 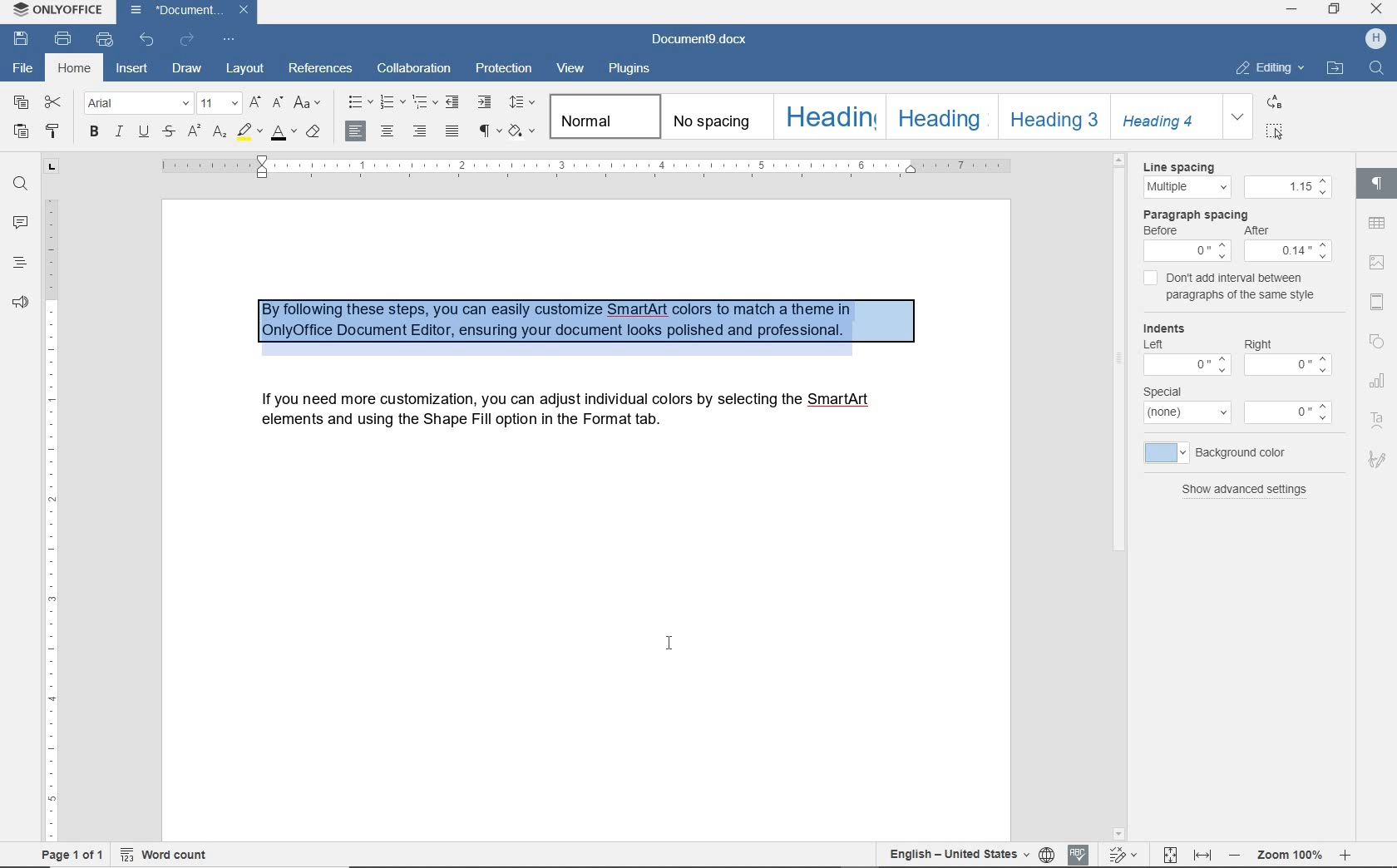 I want to click on profile, so click(x=1374, y=39).